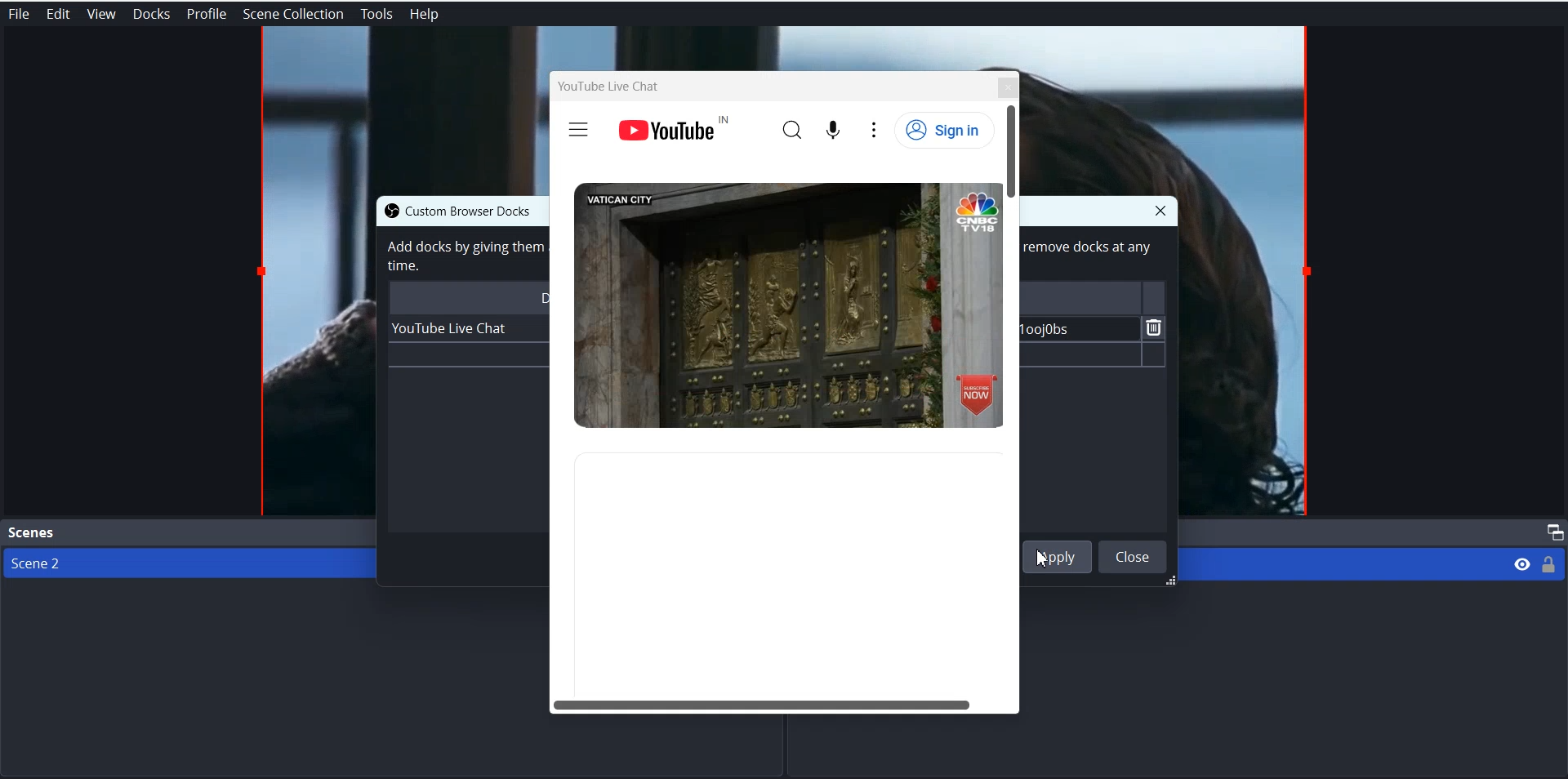  Describe the element at coordinates (151, 14) in the screenshot. I see `Docks` at that location.